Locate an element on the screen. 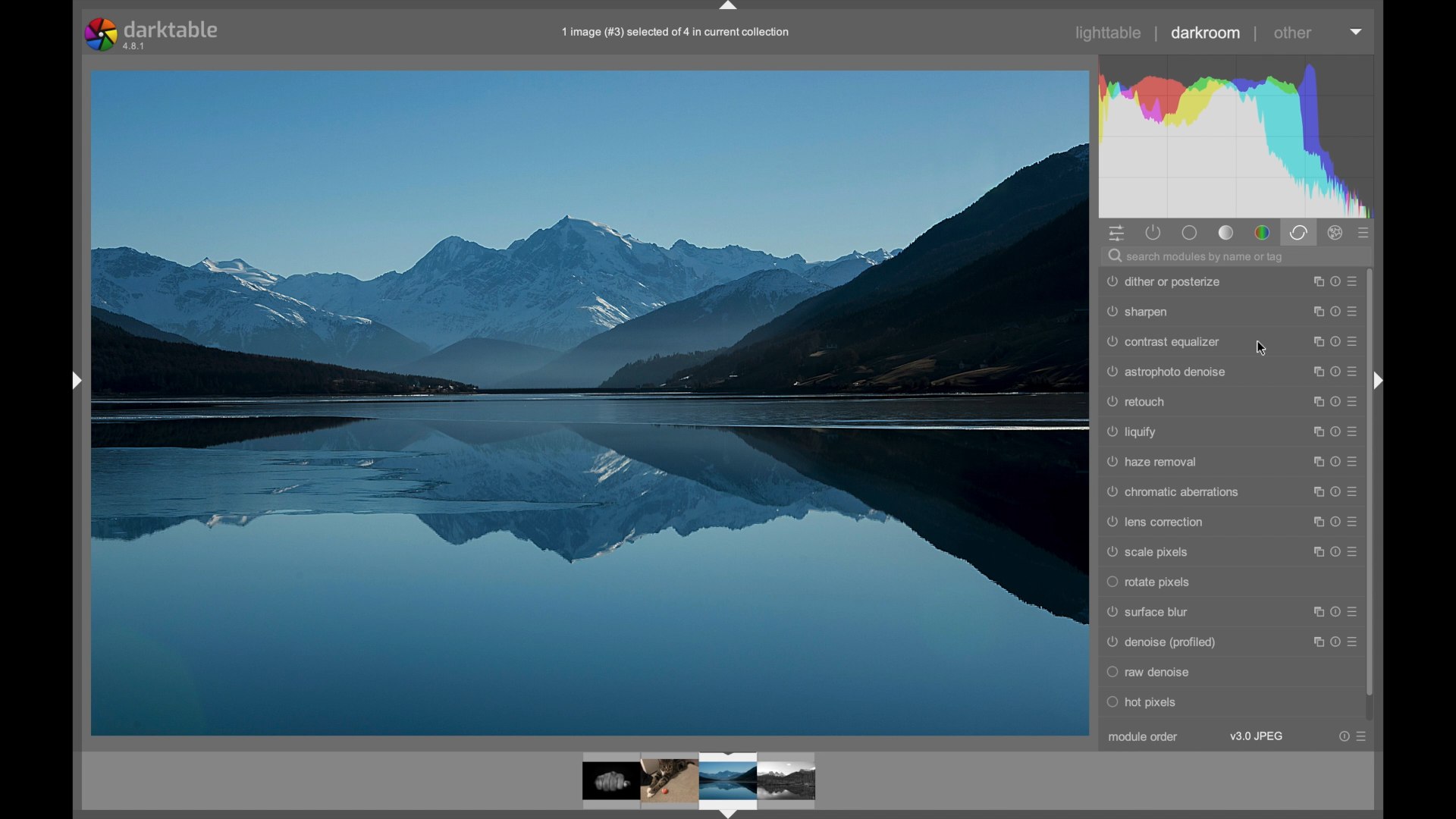 This screenshot has height=819, width=1456. hot pixels is located at coordinates (1142, 702).